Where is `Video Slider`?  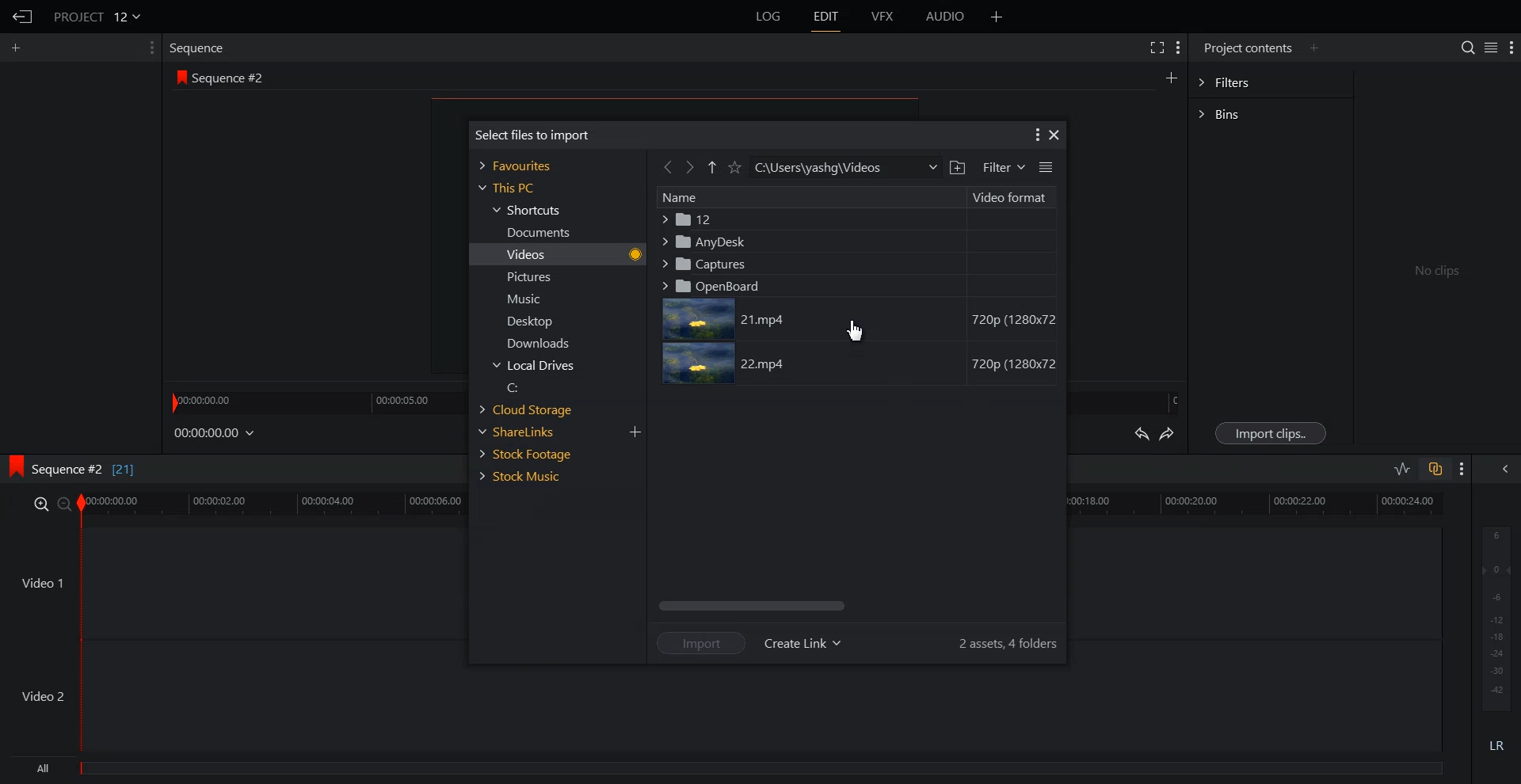 Video Slider is located at coordinates (770, 507).